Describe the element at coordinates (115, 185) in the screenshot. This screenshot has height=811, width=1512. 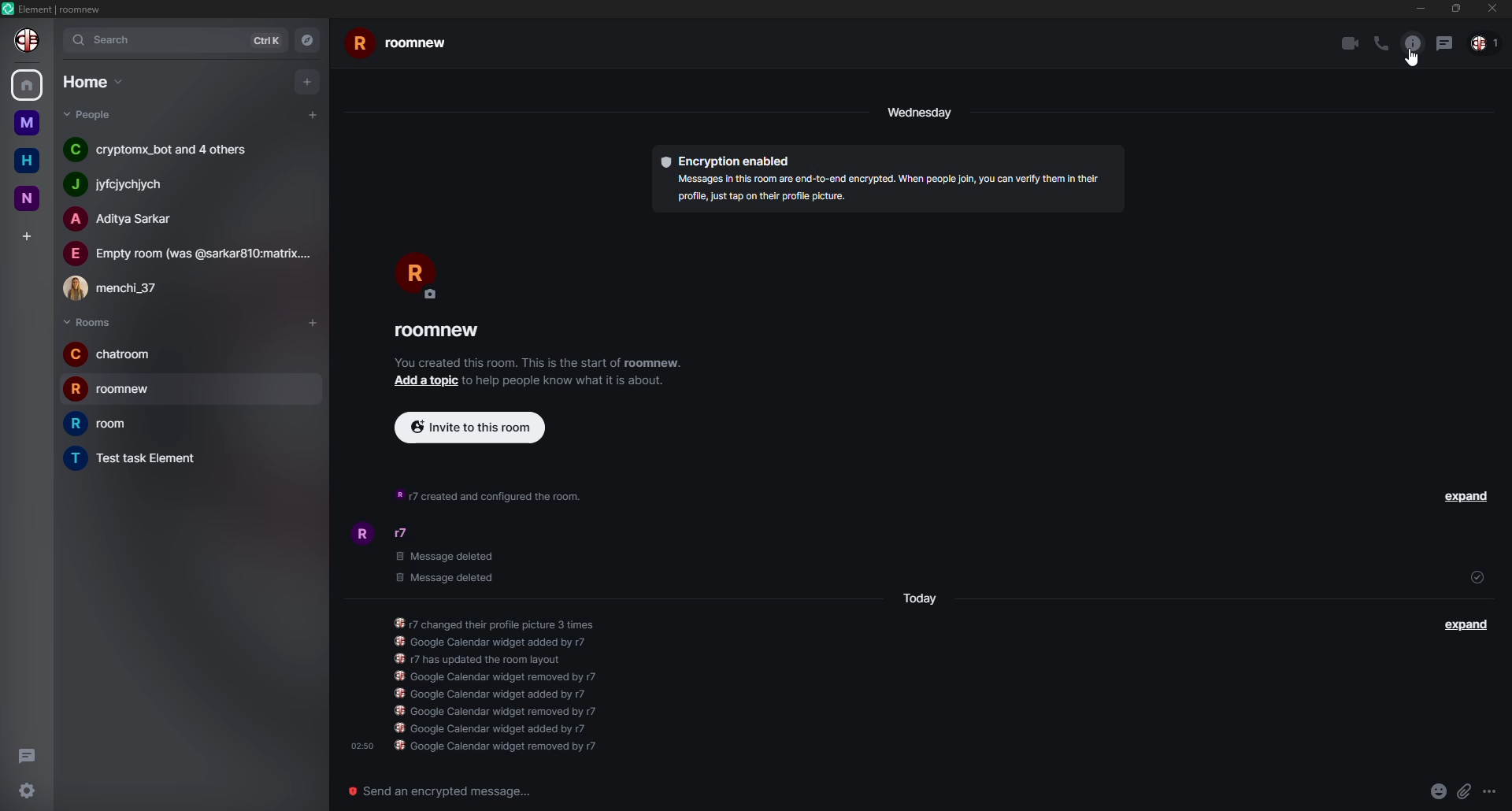
I see `people` at that location.